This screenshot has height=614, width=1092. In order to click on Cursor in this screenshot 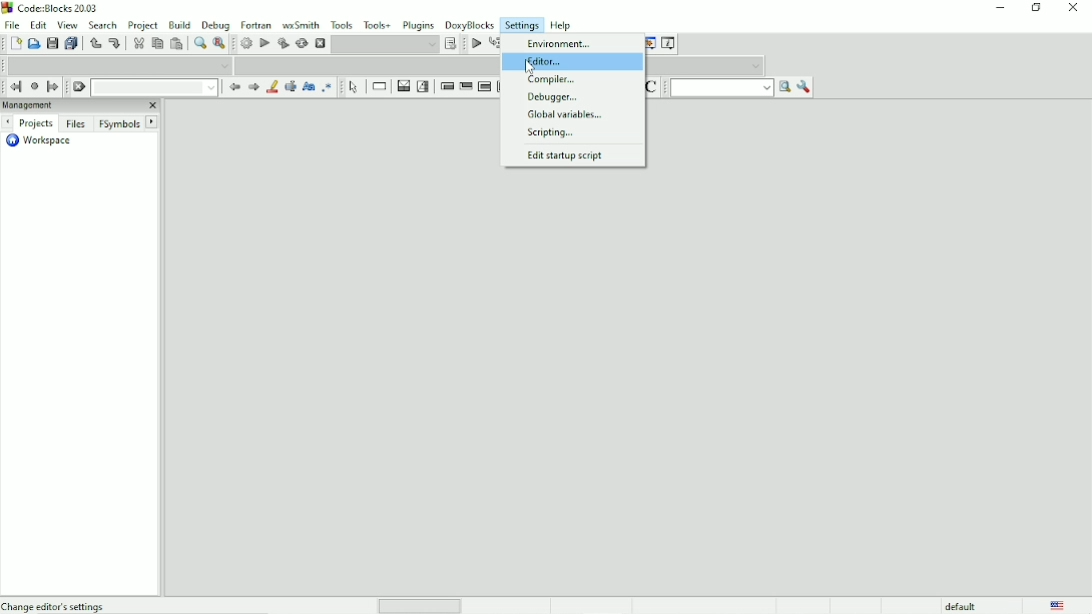, I will do `click(531, 65)`.